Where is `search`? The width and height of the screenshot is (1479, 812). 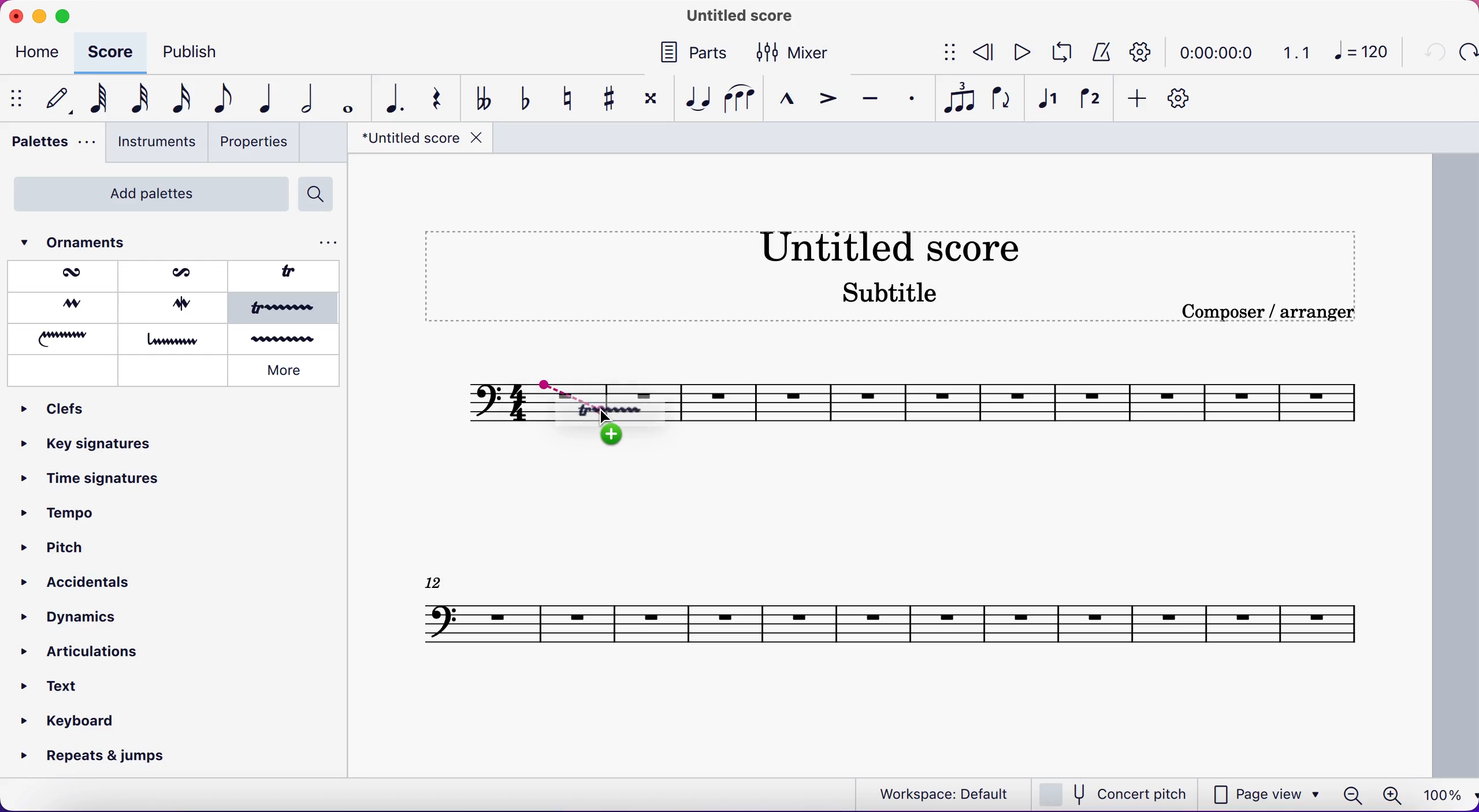
search is located at coordinates (321, 195).